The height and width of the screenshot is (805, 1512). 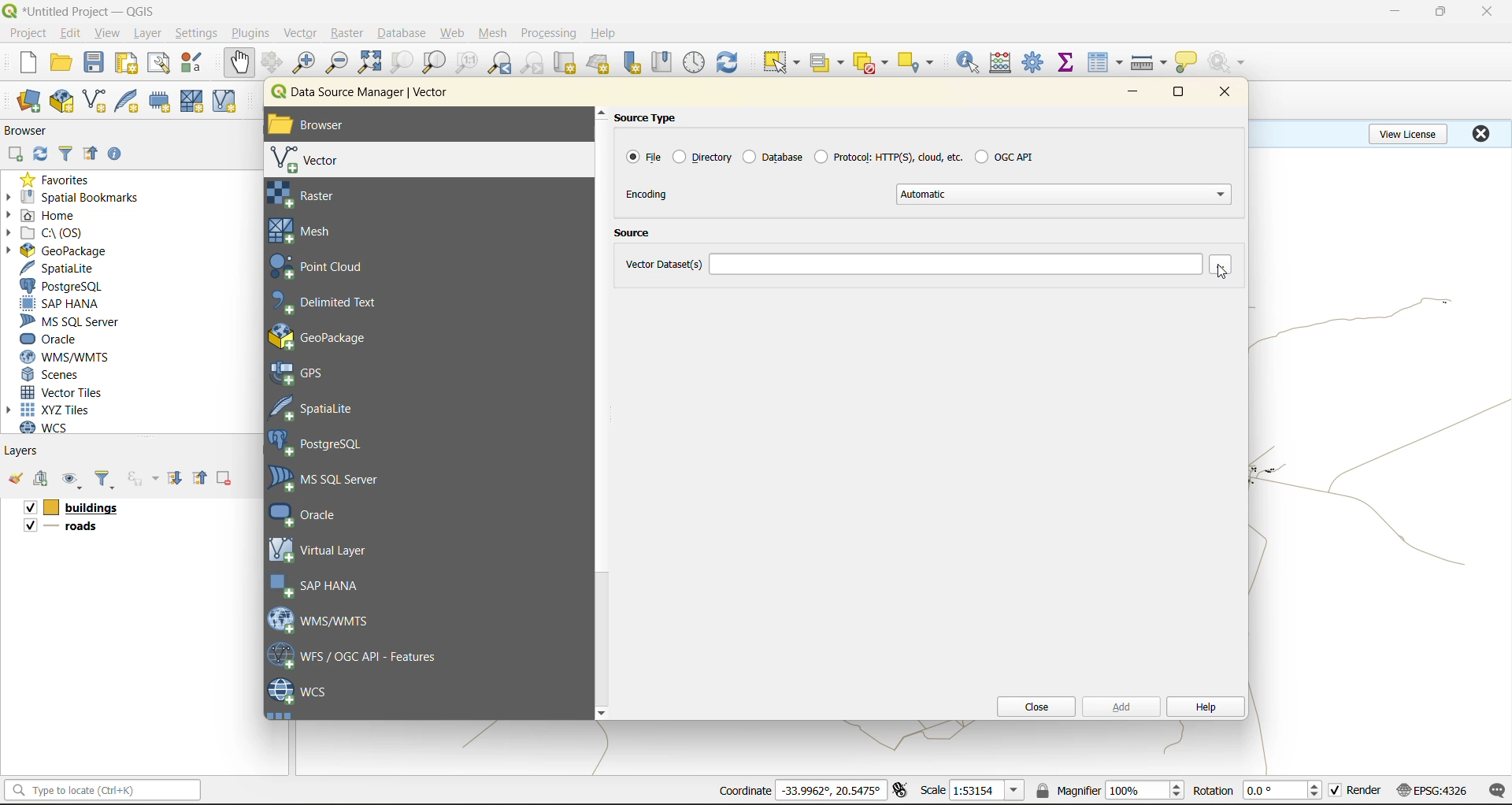 I want to click on database, so click(x=406, y=35).